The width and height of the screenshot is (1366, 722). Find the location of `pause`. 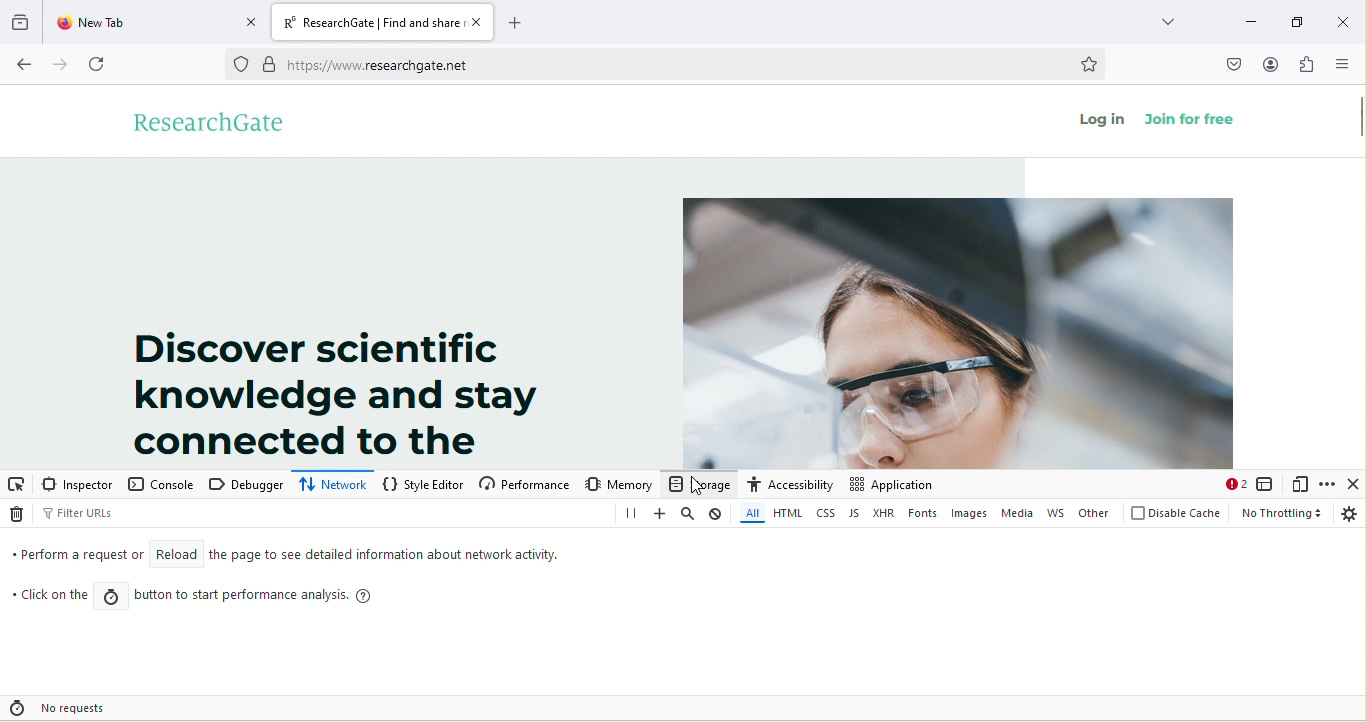

pause is located at coordinates (633, 512).